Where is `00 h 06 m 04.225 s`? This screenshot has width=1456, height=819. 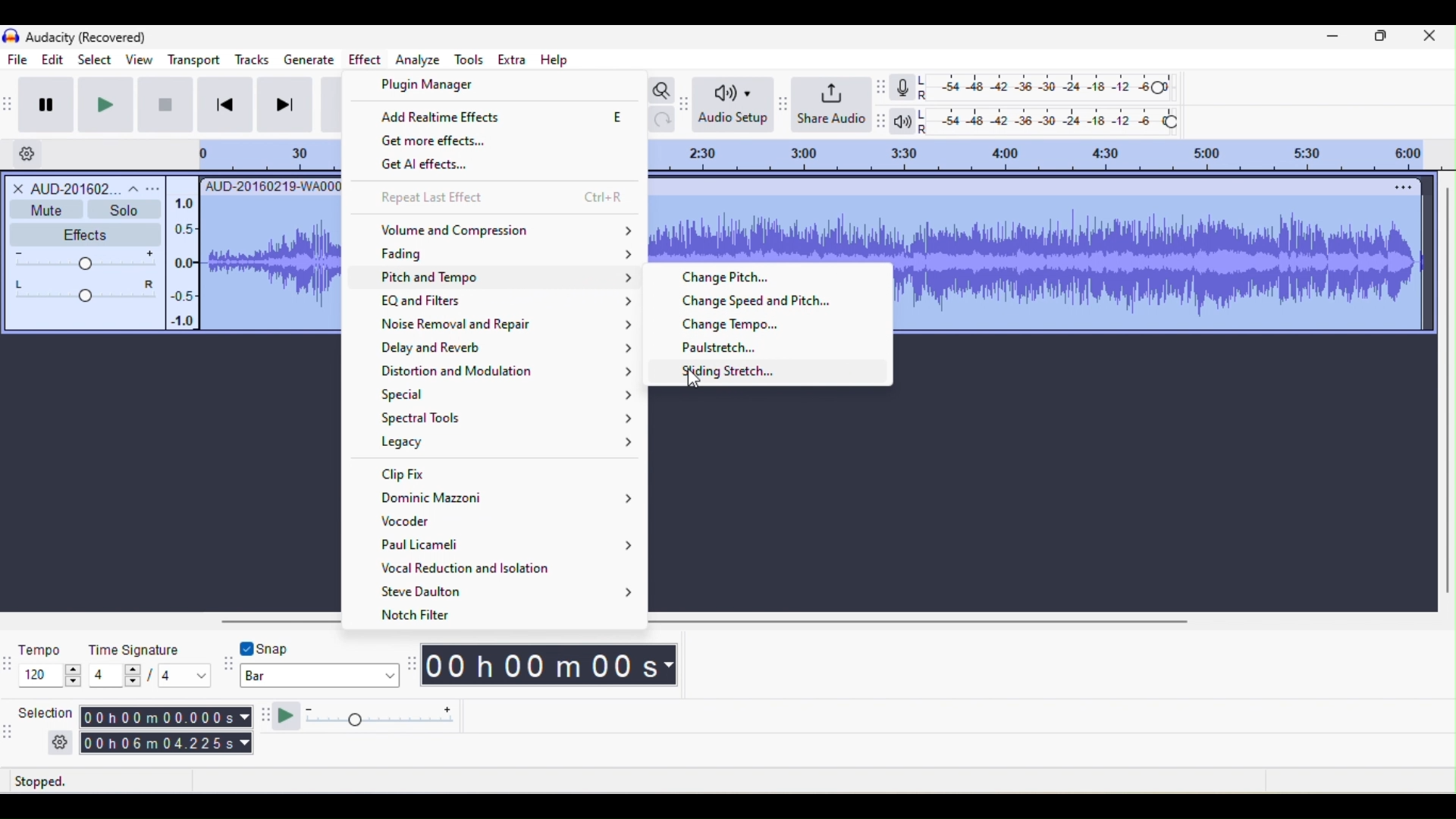
00 h 06 m 04.225 s is located at coordinates (166, 745).